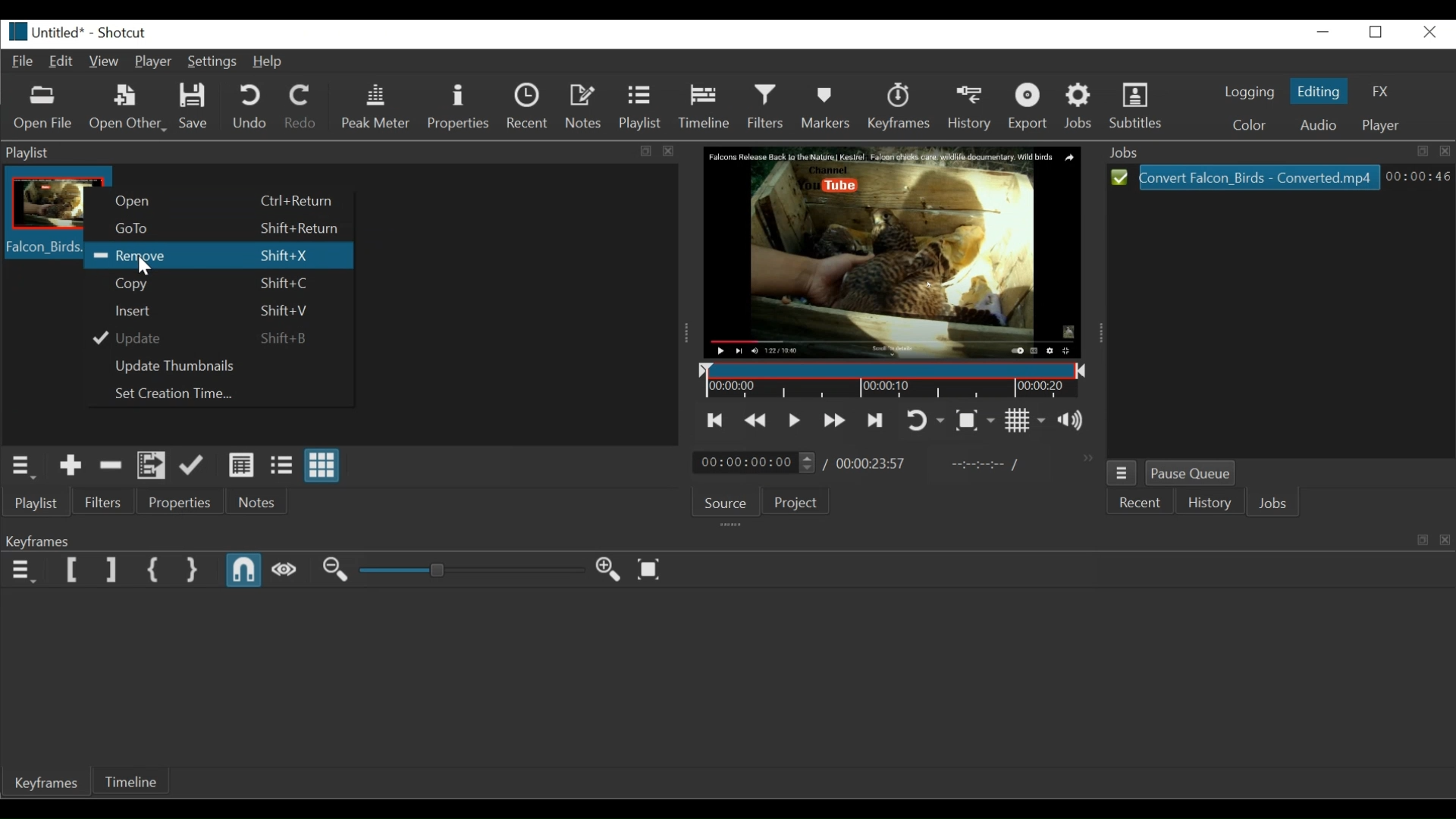 This screenshot has width=1456, height=819. I want to click on Export, so click(1030, 107).